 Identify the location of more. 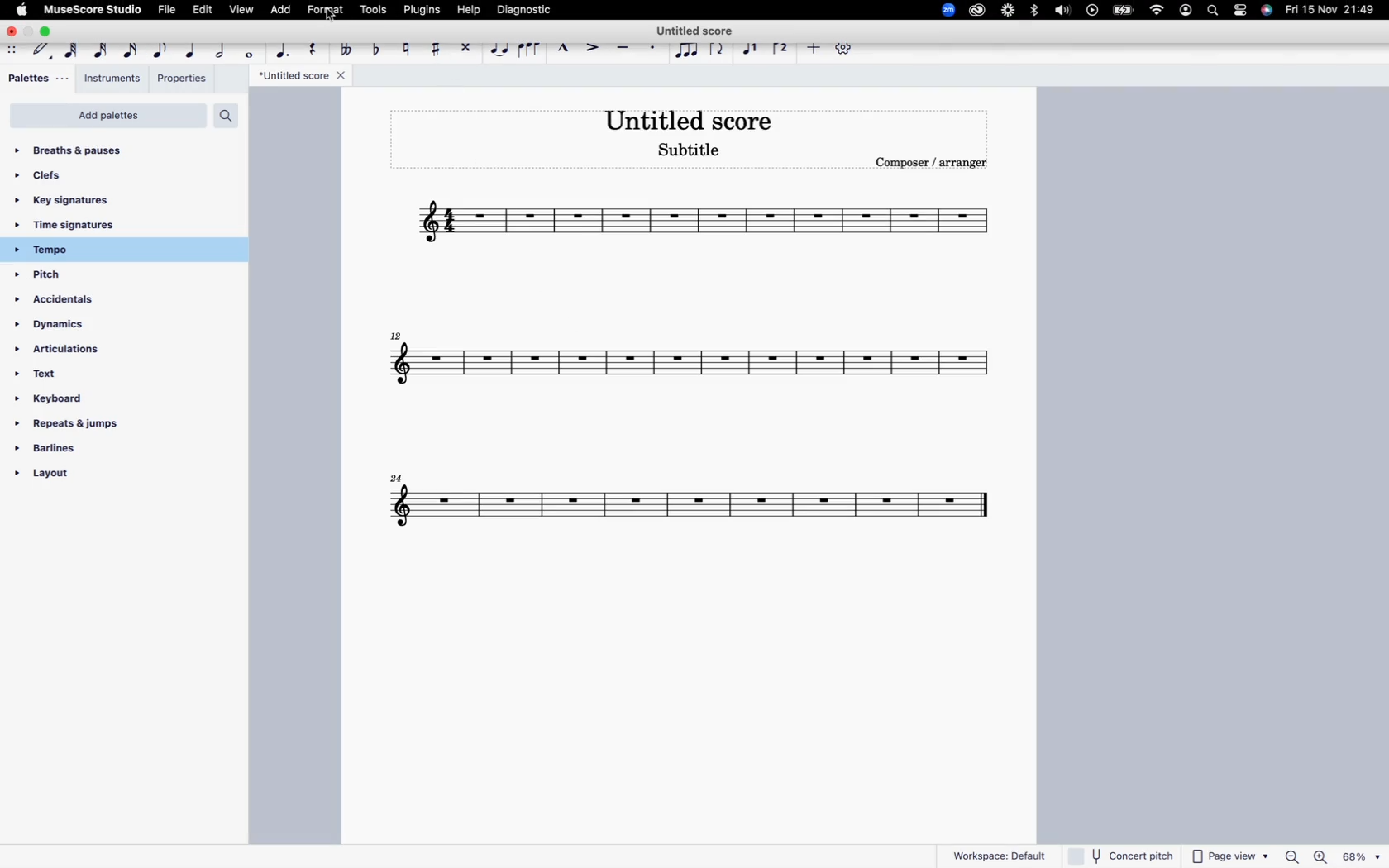
(813, 50).